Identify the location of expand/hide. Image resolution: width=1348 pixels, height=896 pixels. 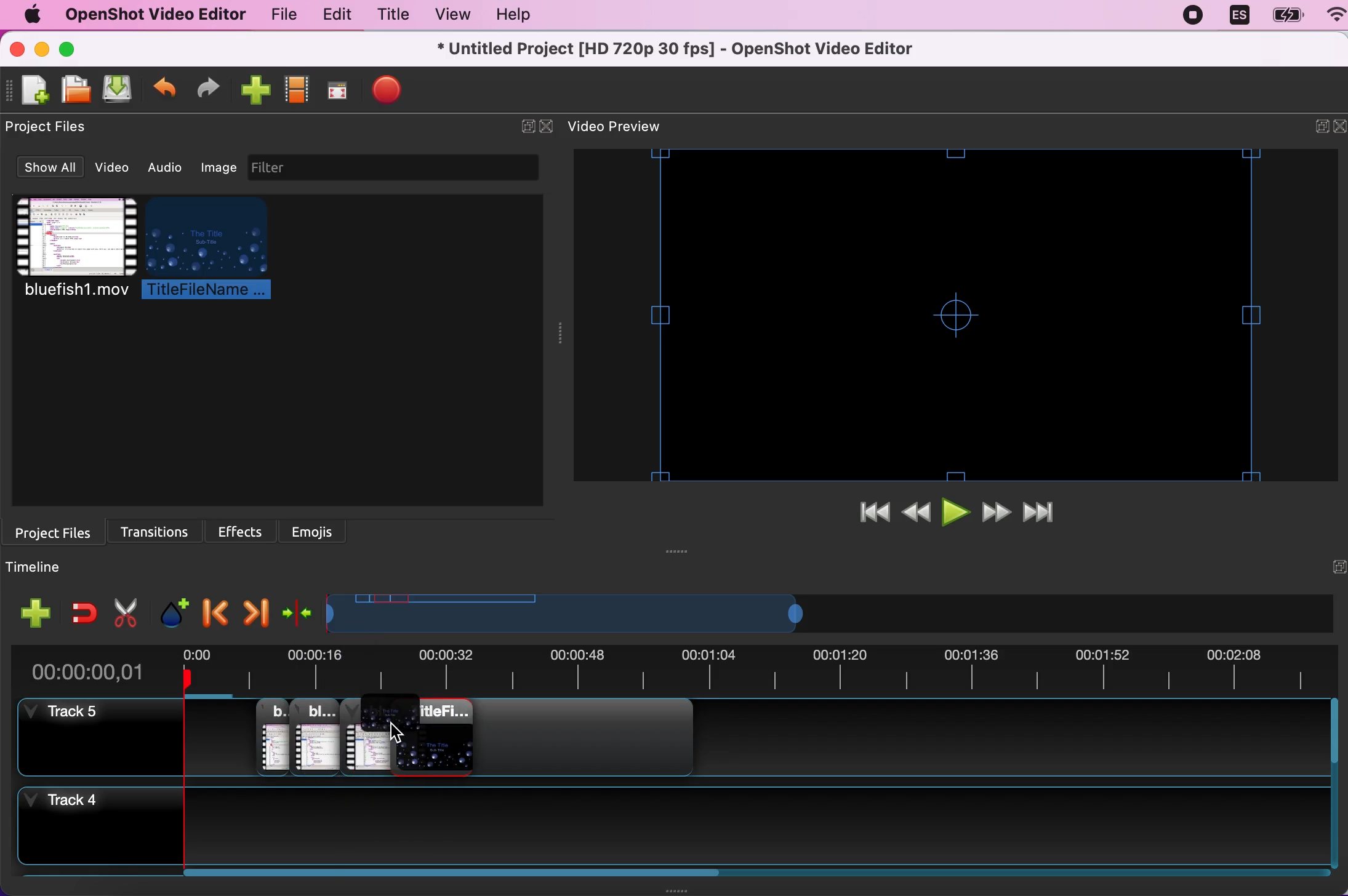
(524, 127).